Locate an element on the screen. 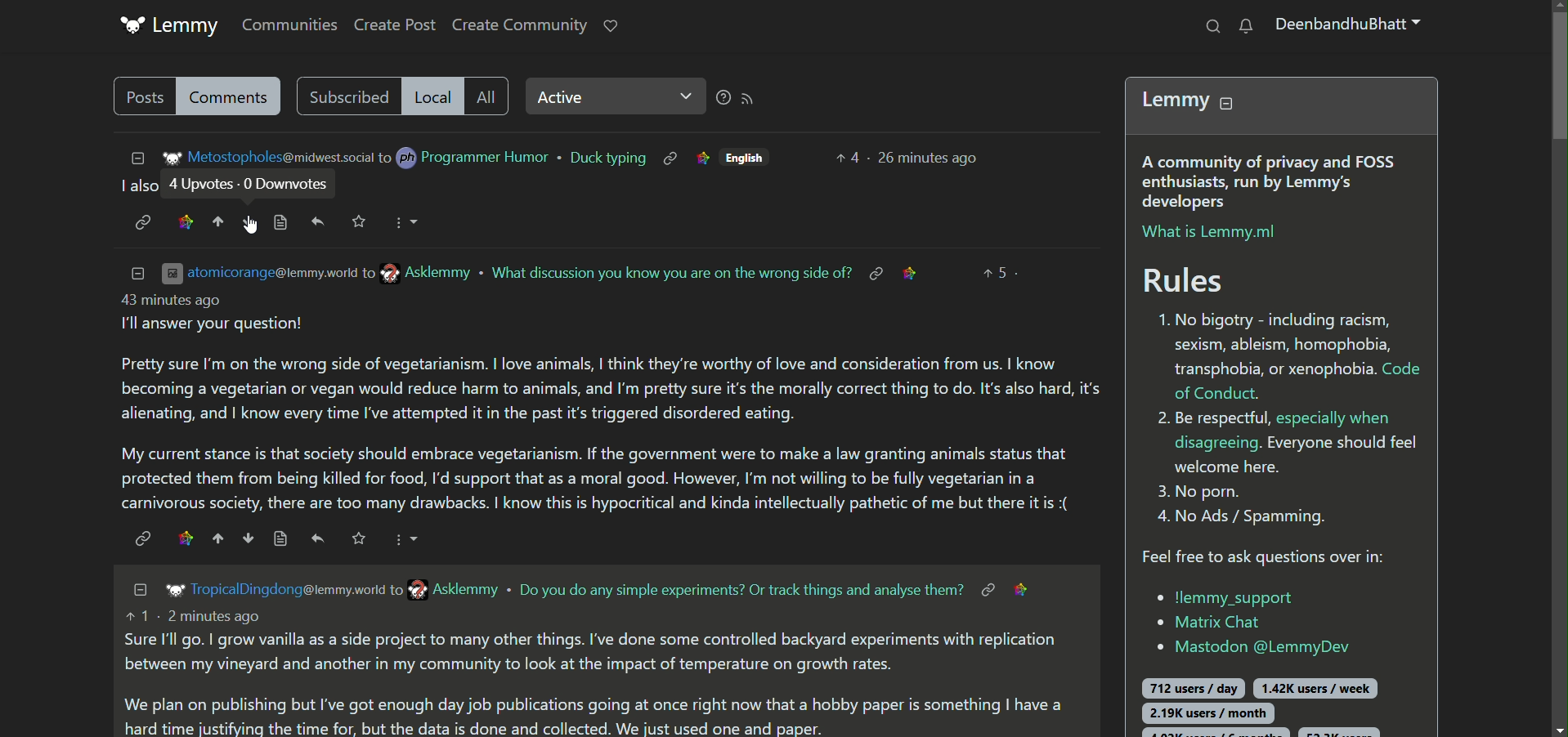 This screenshot has width=1568, height=737. communities is located at coordinates (284, 24).